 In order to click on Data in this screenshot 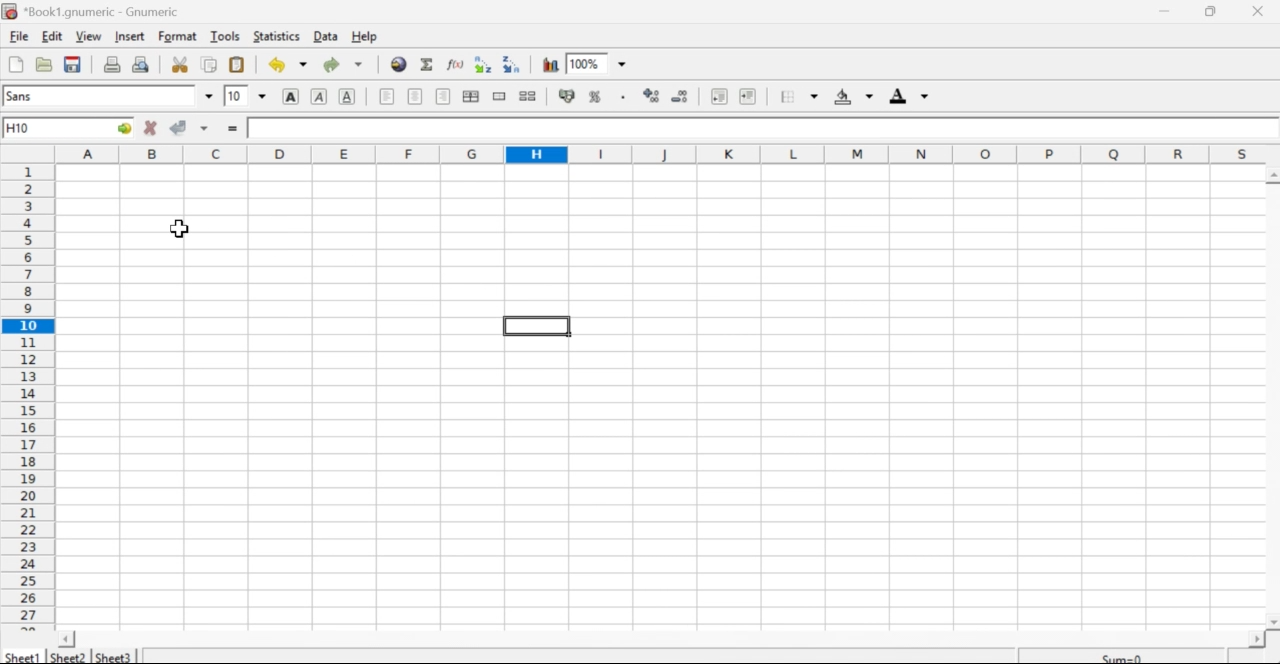, I will do `click(327, 36)`.